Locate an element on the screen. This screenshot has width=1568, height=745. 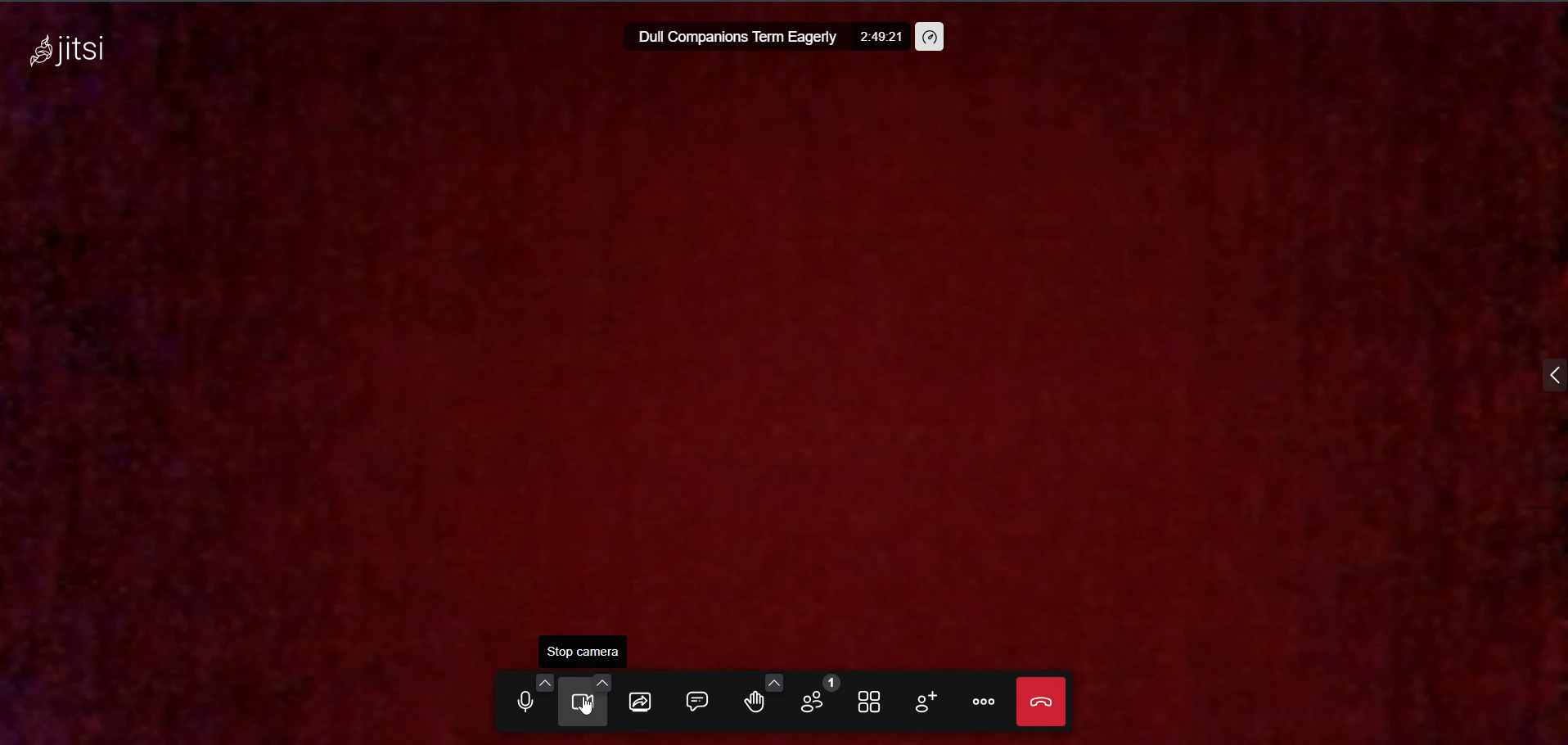
microphone on is located at coordinates (520, 703).